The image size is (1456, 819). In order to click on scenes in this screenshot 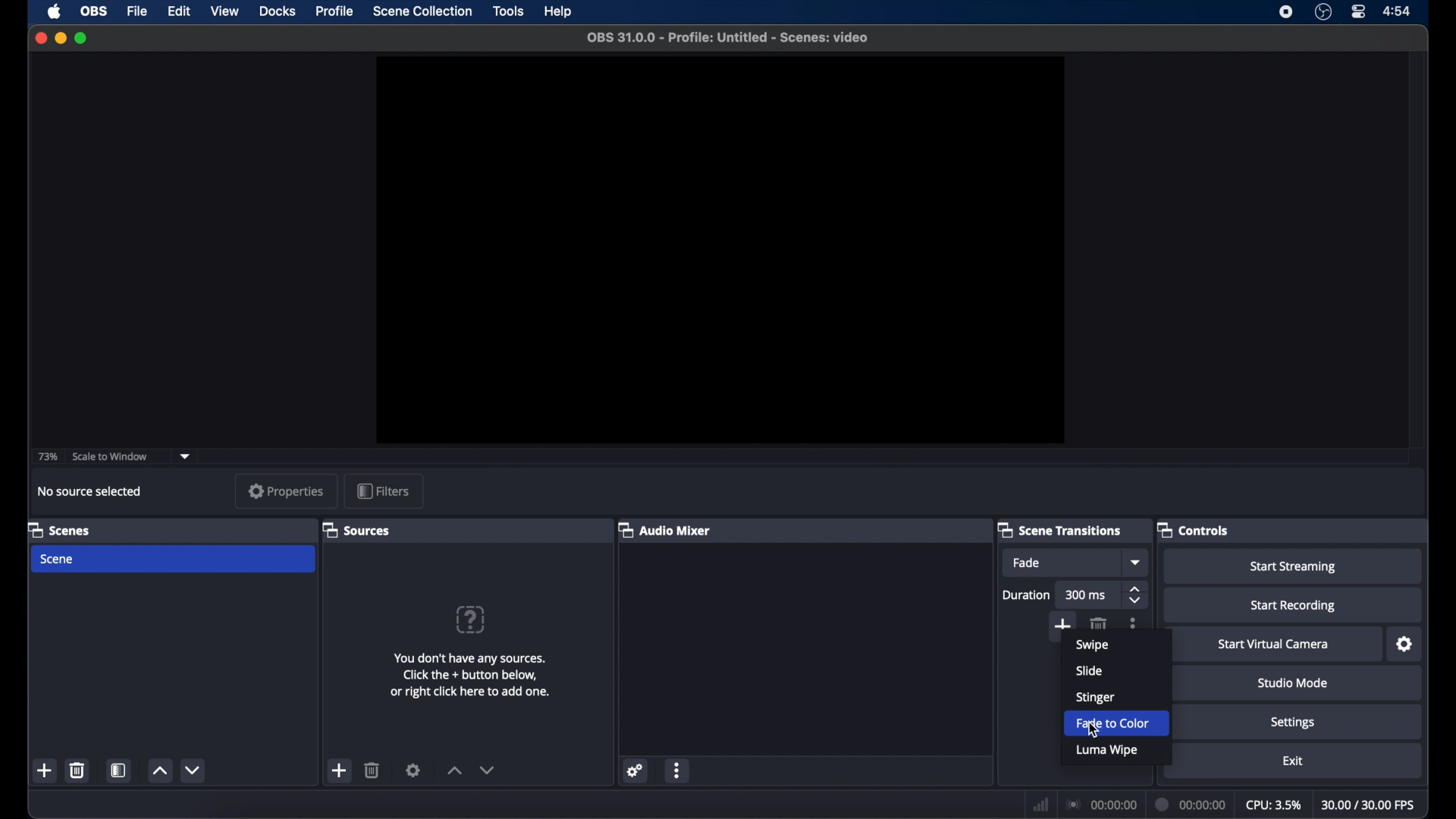, I will do `click(58, 529)`.